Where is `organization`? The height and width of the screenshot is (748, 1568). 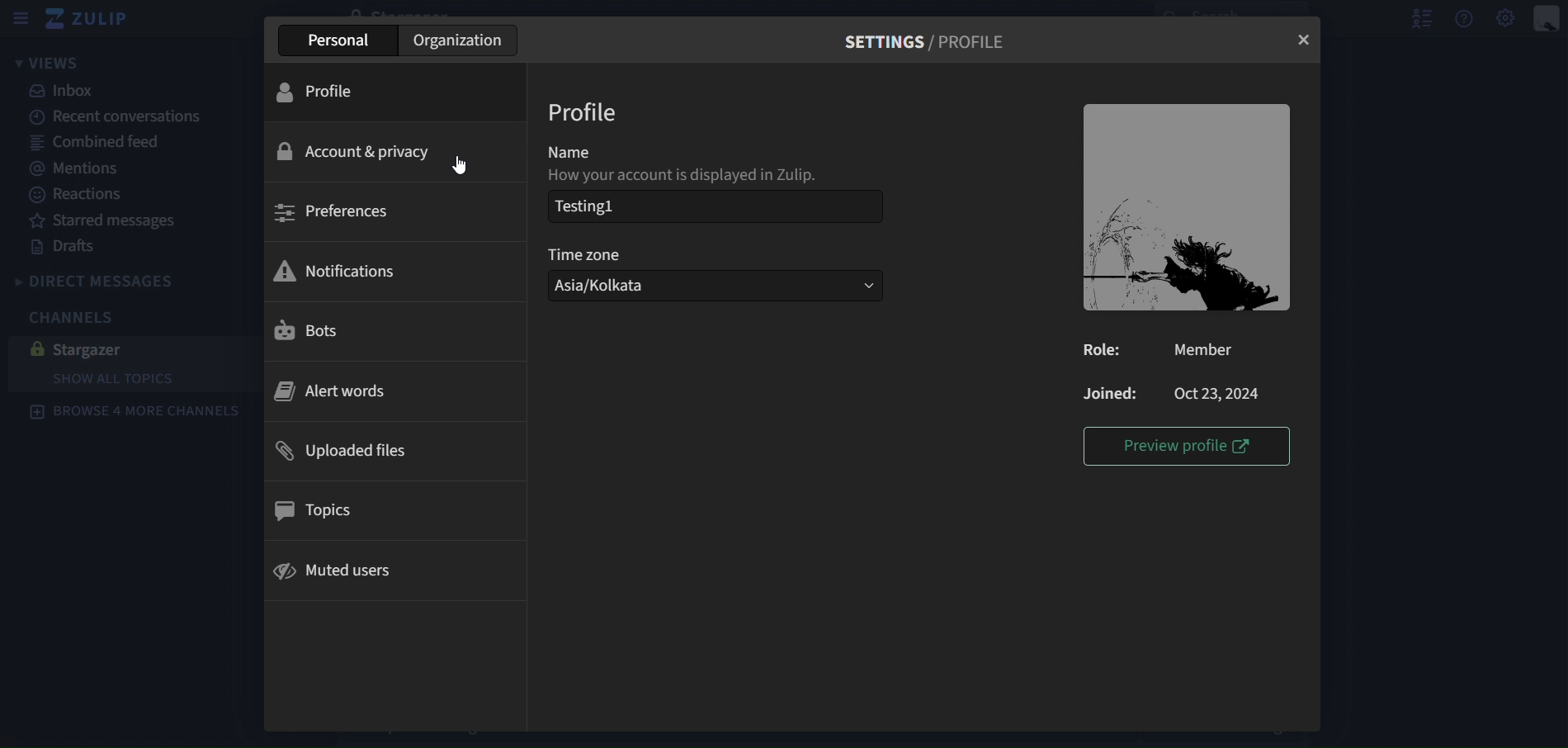
organization is located at coordinates (459, 39).